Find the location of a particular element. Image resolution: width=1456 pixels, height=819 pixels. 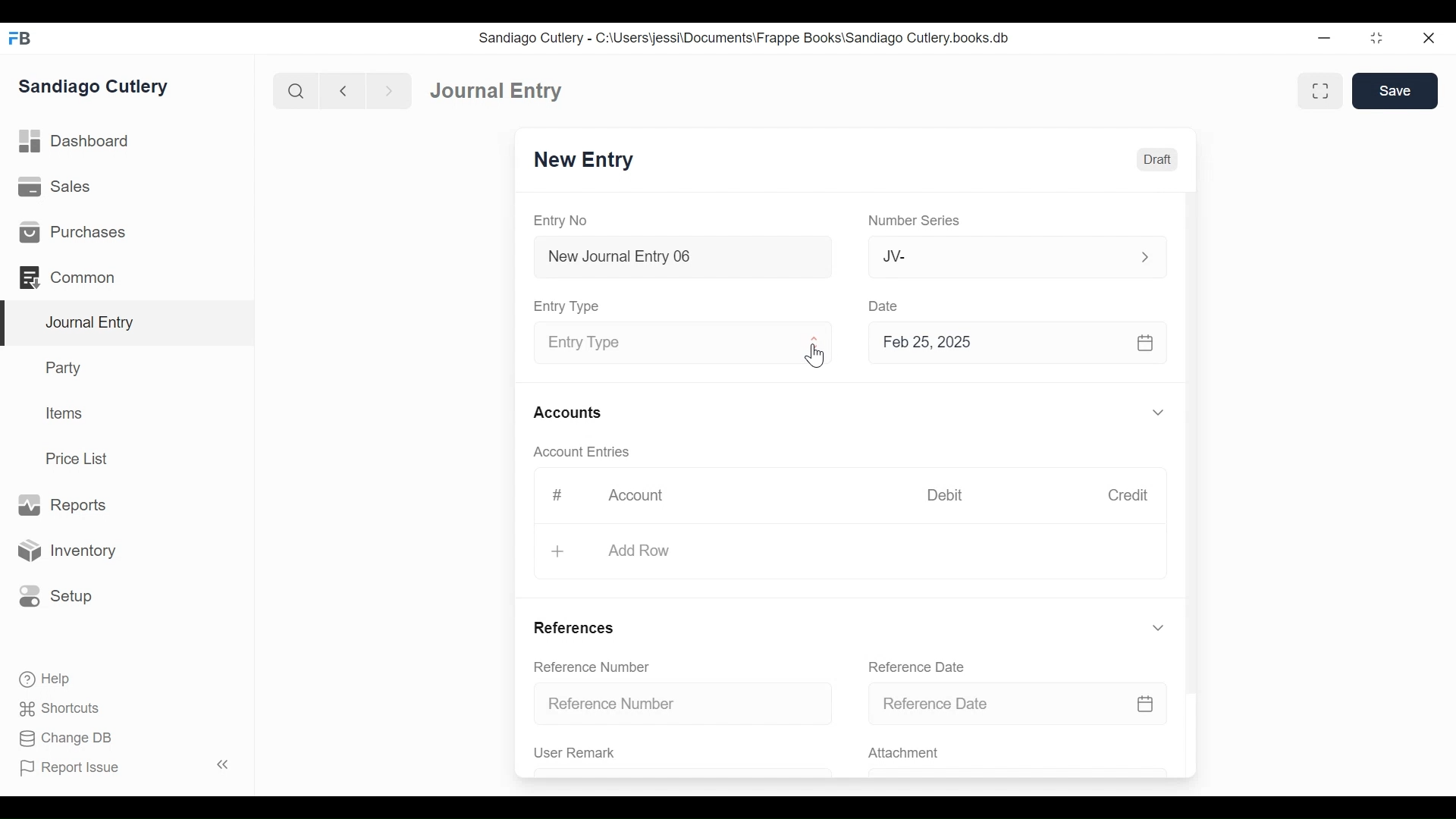

User Remark is located at coordinates (575, 752).